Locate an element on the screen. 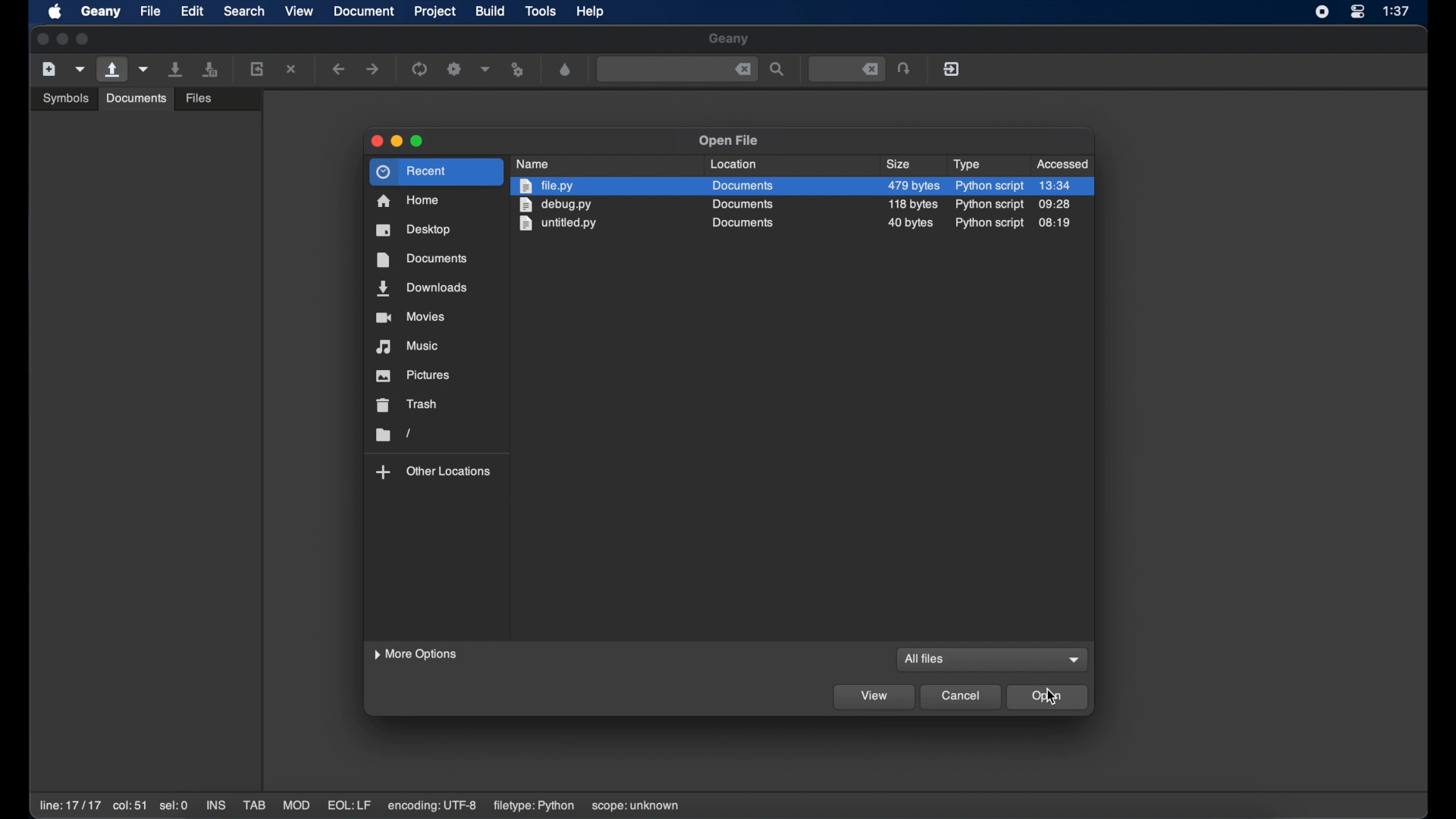  scope: unknown is located at coordinates (636, 807).